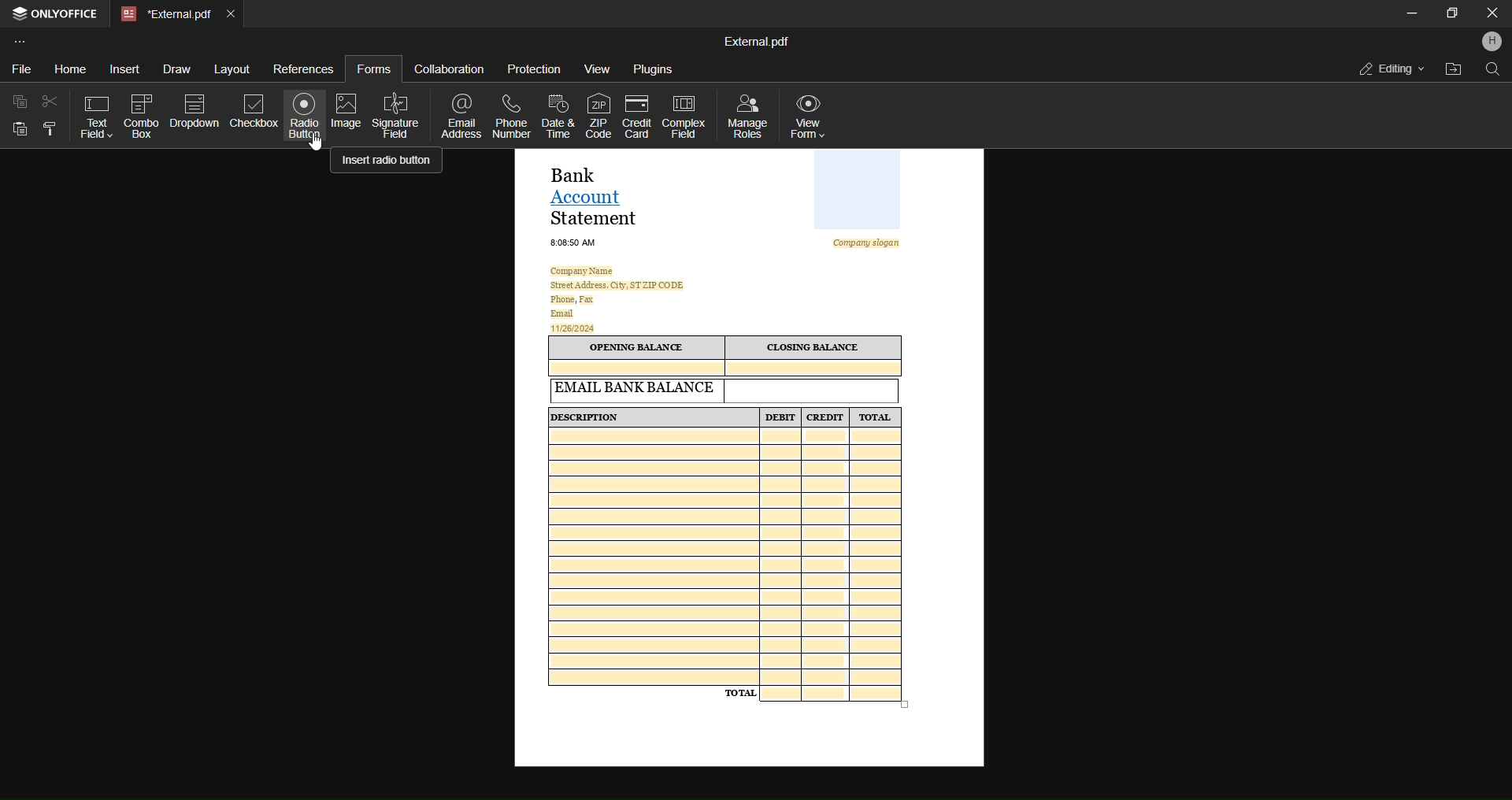  What do you see at coordinates (1450, 70) in the screenshot?
I see `open file location` at bounding box center [1450, 70].